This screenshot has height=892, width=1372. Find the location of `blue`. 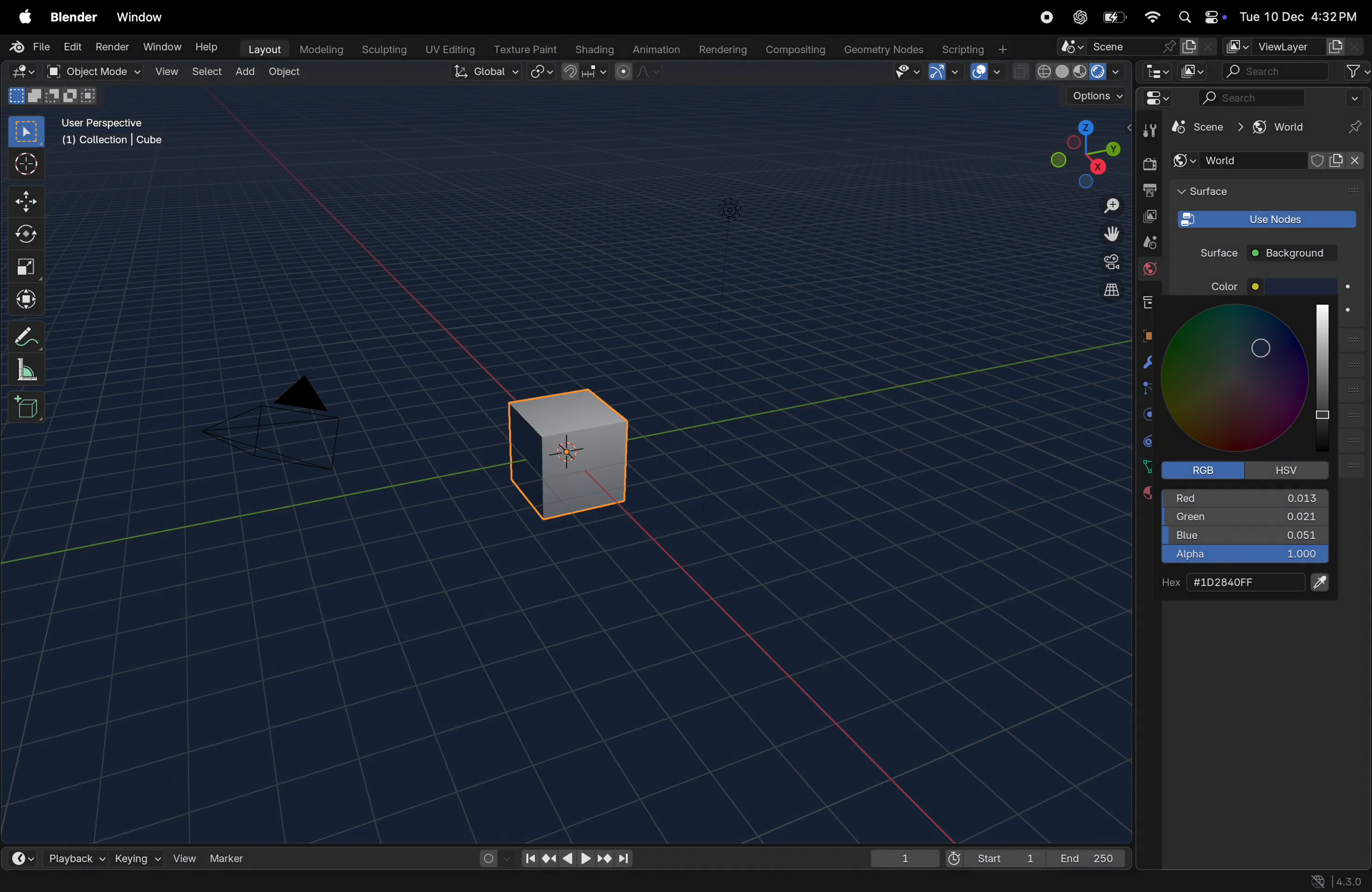

blue is located at coordinates (1245, 538).